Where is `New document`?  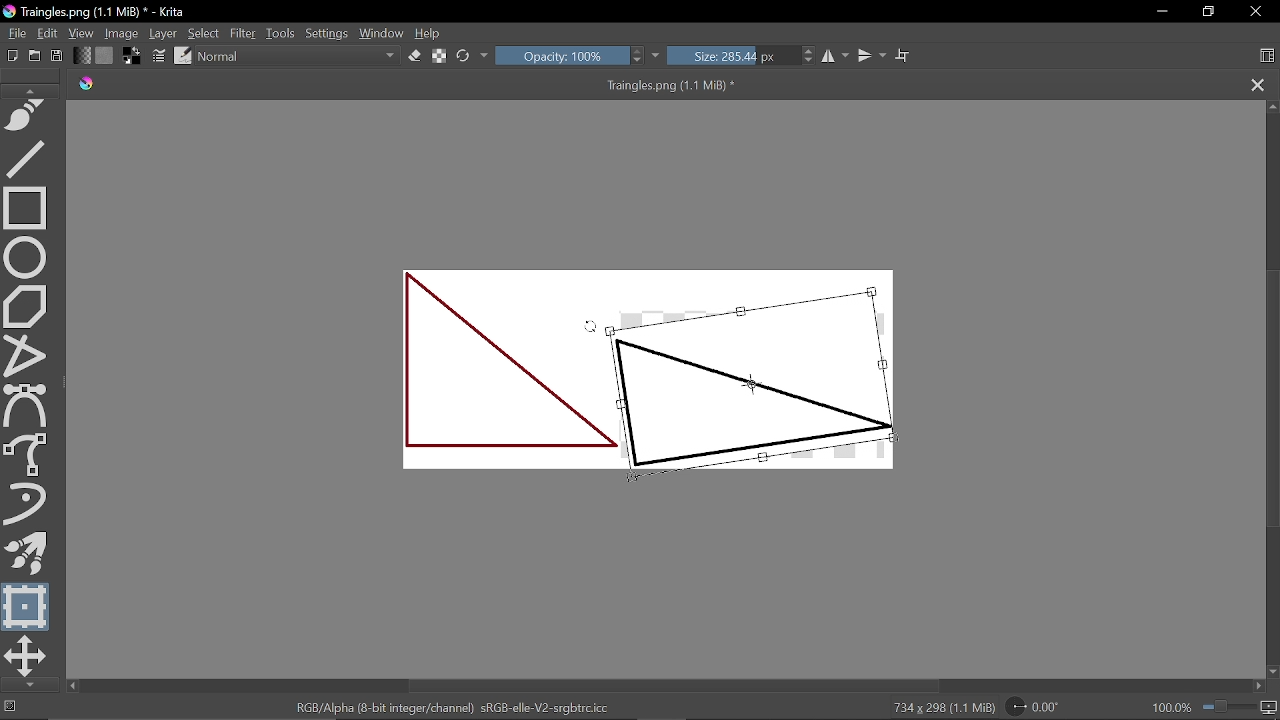 New document is located at coordinates (10, 54).